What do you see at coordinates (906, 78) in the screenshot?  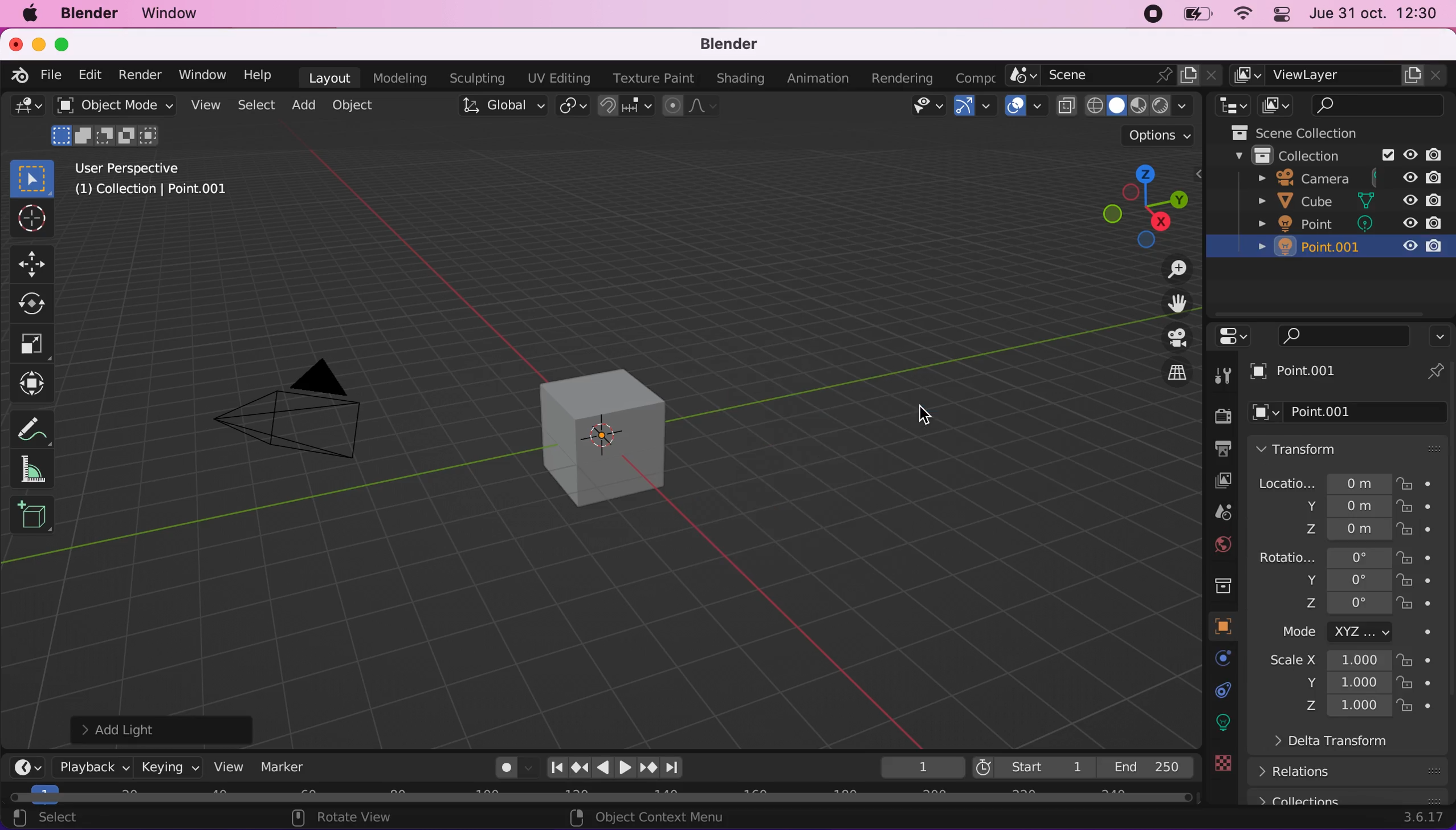 I see `rendering` at bounding box center [906, 78].